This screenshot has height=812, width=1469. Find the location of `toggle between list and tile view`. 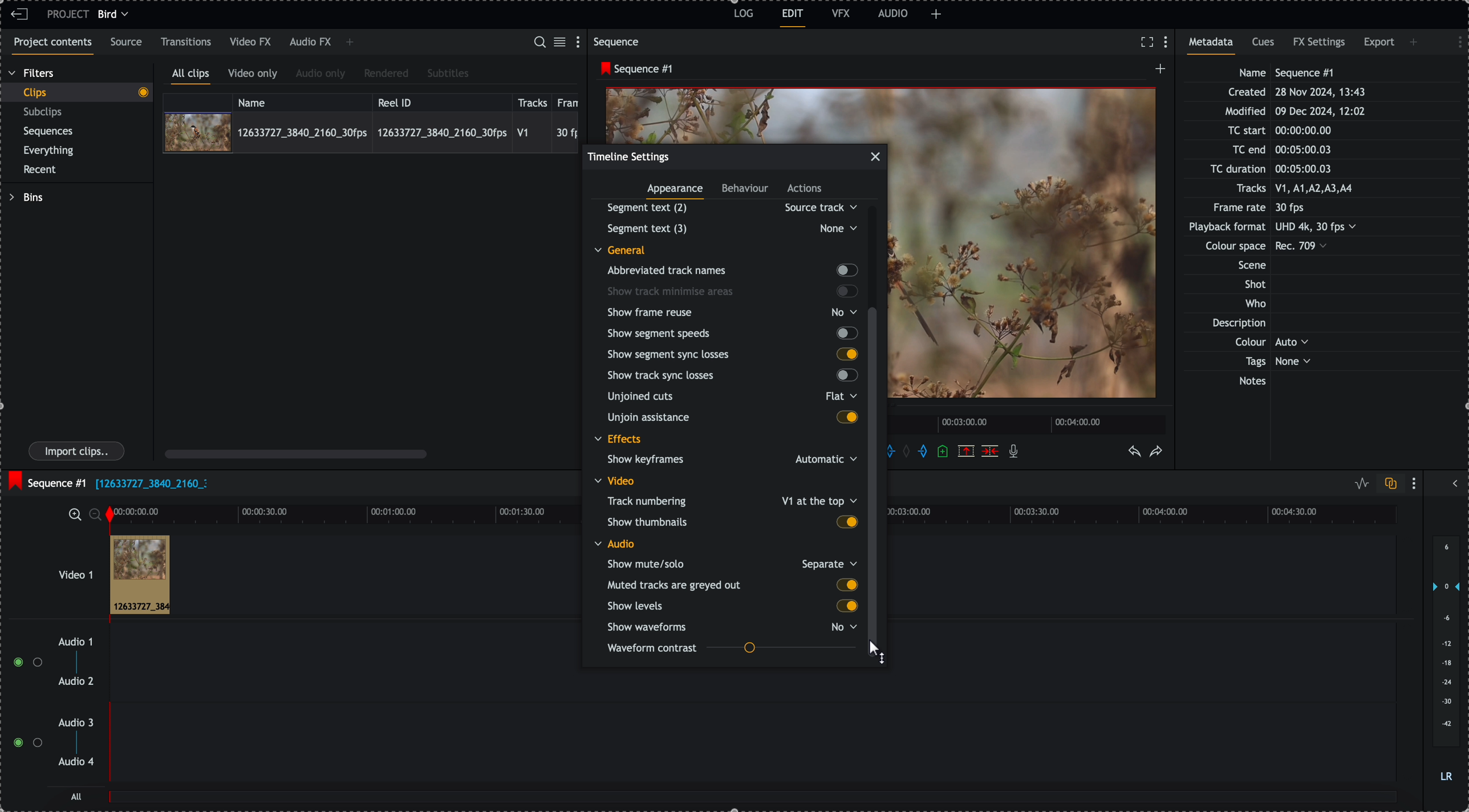

toggle between list and tile view is located at coordinates (562, 43).